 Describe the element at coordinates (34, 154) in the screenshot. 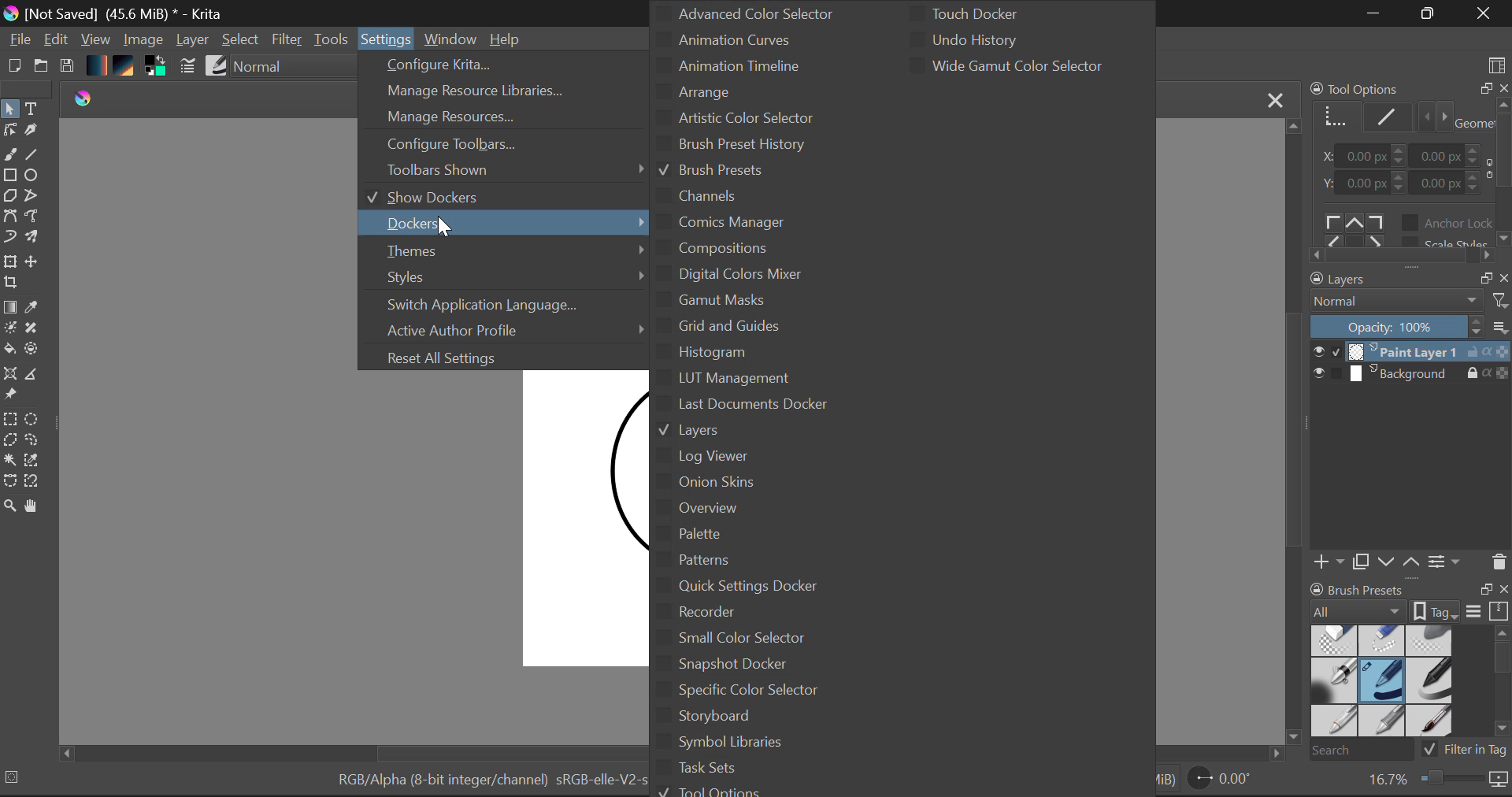

I see `Line` at that location.